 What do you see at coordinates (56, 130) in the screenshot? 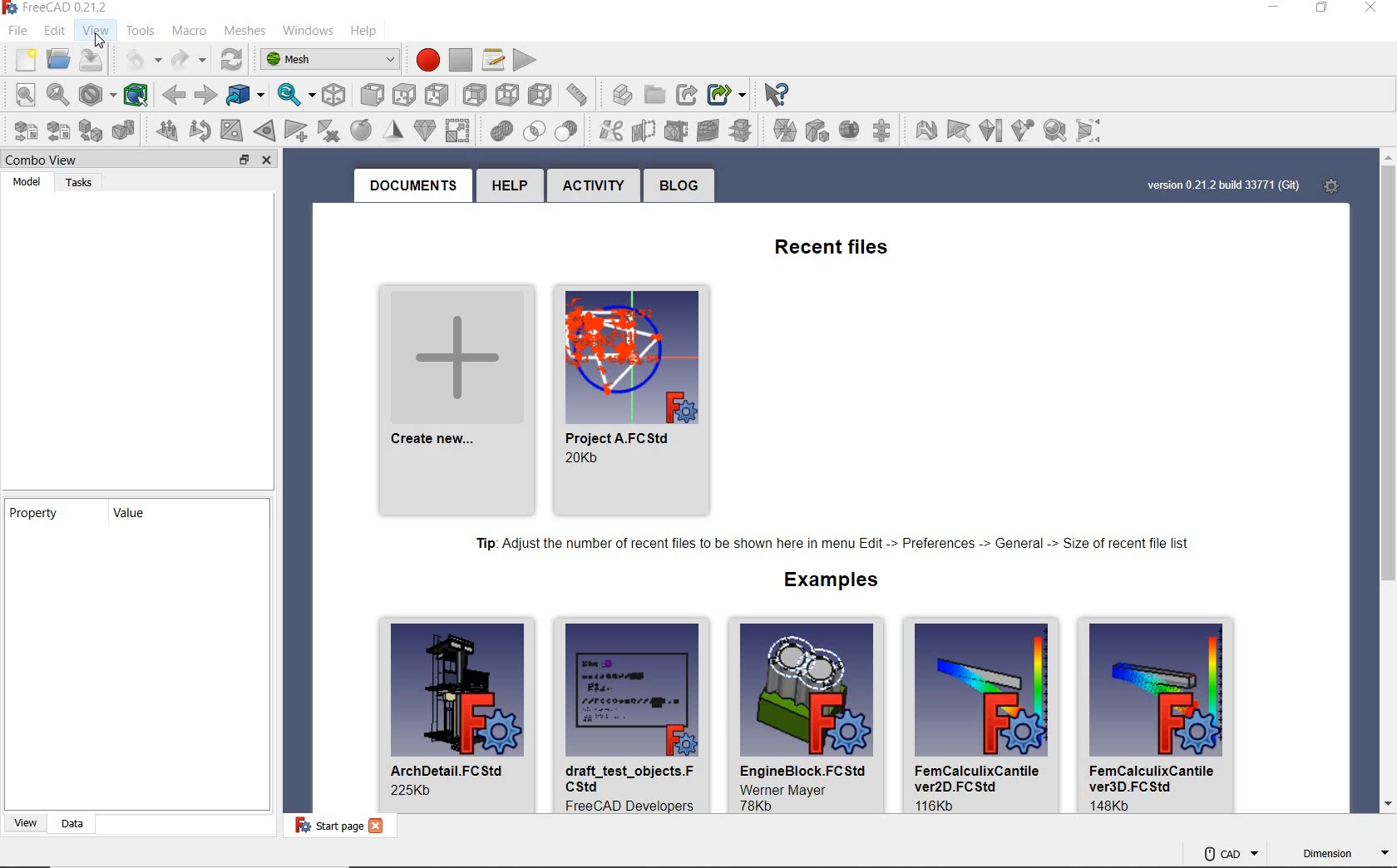
I see `export mesh` at bounding box center [56, 130].